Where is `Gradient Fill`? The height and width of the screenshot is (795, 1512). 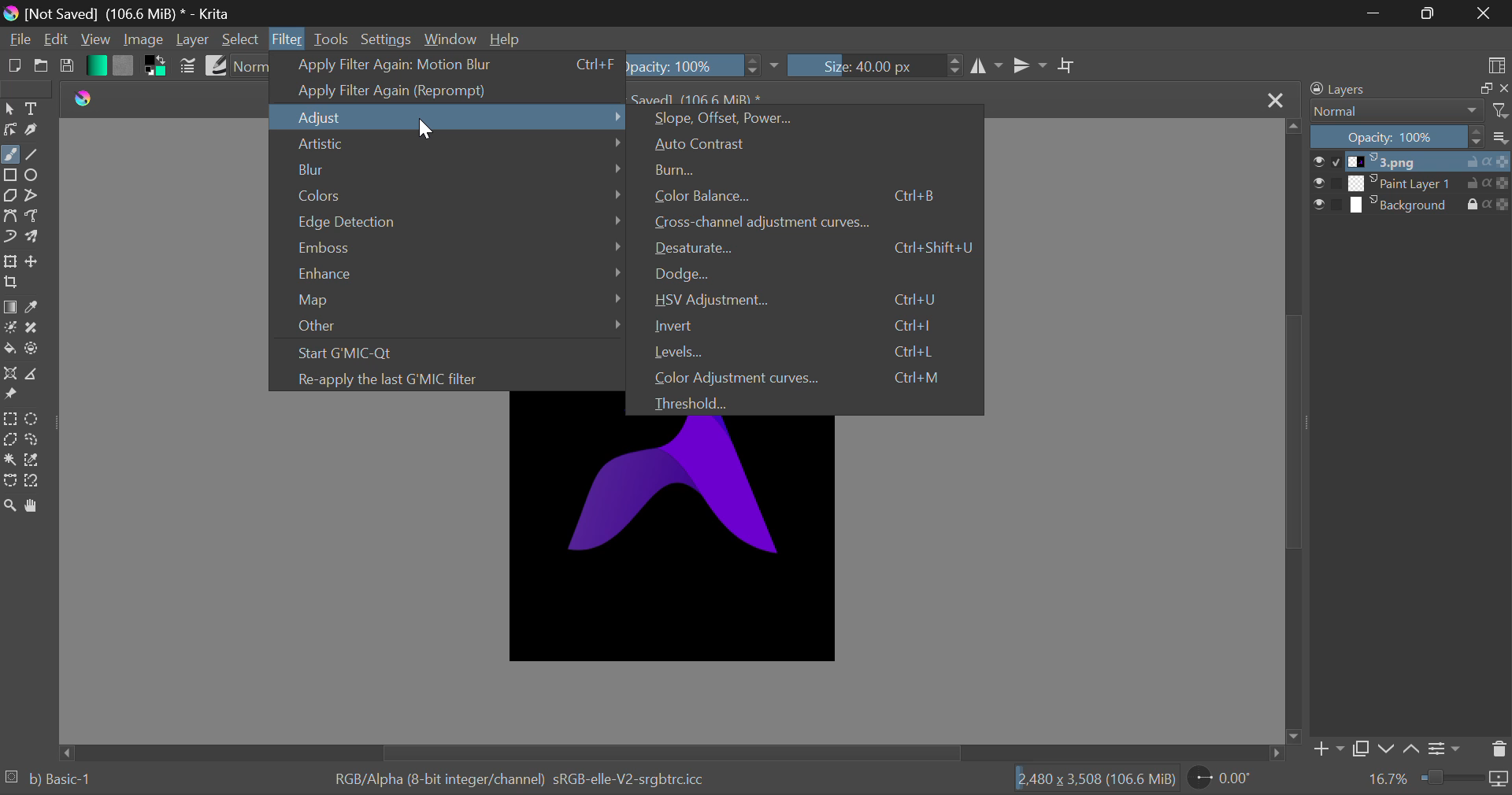
Gradient Fill is located at coordinates (10, 307).